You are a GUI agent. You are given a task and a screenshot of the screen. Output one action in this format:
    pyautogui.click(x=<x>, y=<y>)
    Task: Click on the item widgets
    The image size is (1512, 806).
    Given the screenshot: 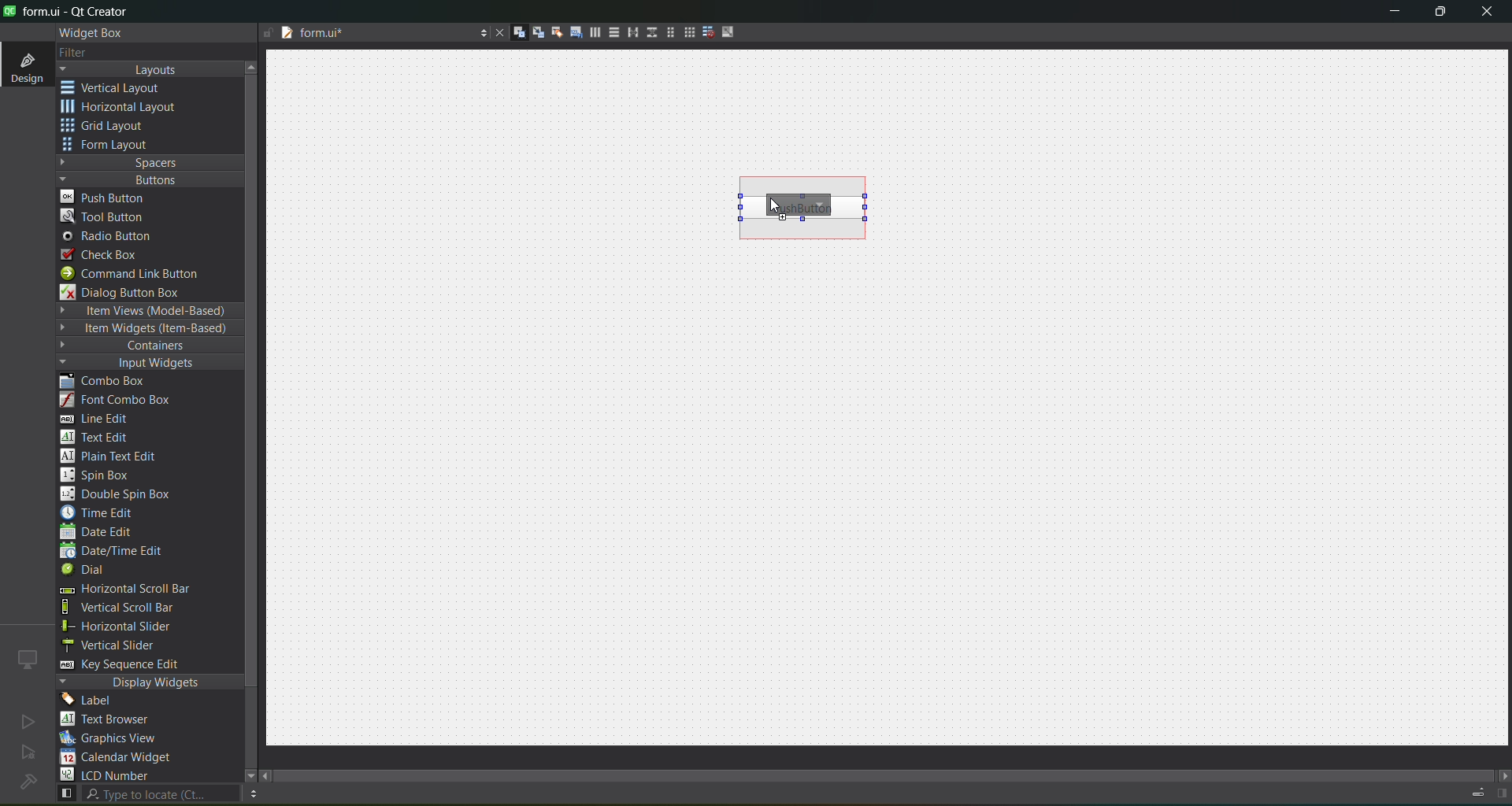 What is the action you would take?
    pyautogui.click(x=146, y=329)
    